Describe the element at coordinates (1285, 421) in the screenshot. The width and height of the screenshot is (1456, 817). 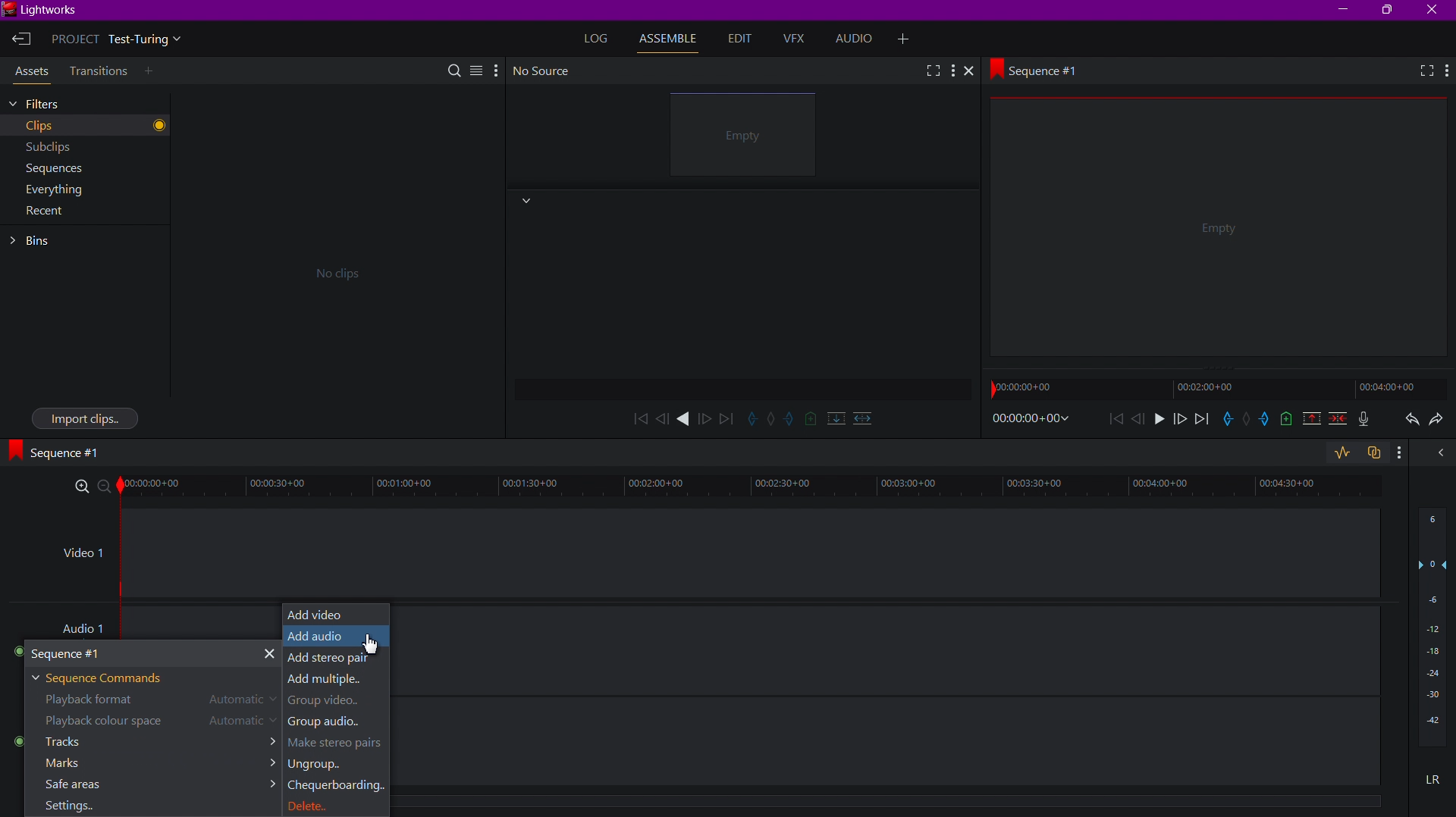
I see `new` at that location.